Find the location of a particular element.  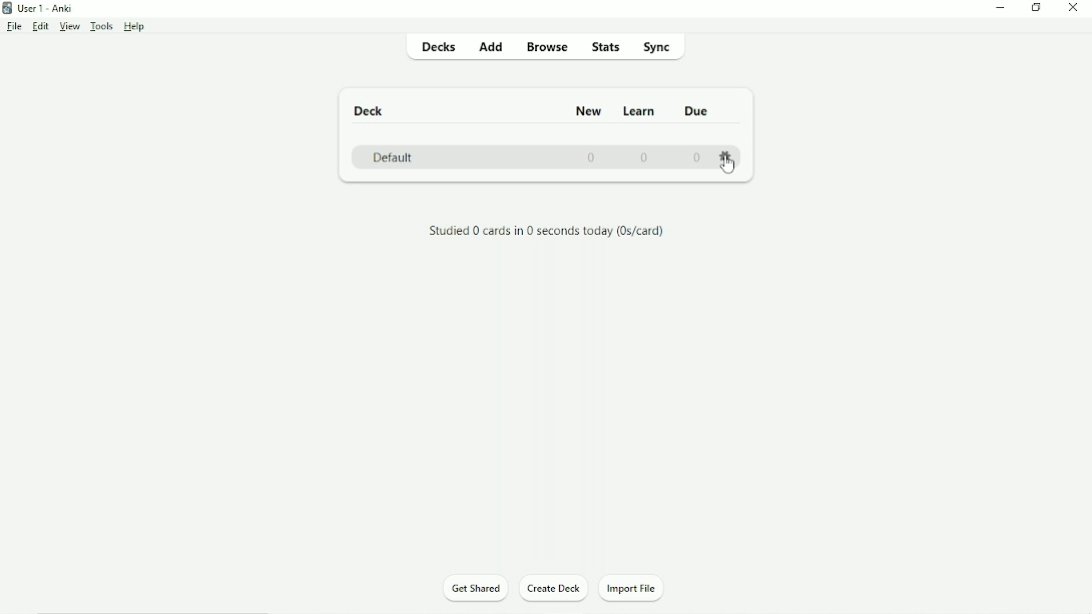

Cursor is located at coordinates (727, 166).